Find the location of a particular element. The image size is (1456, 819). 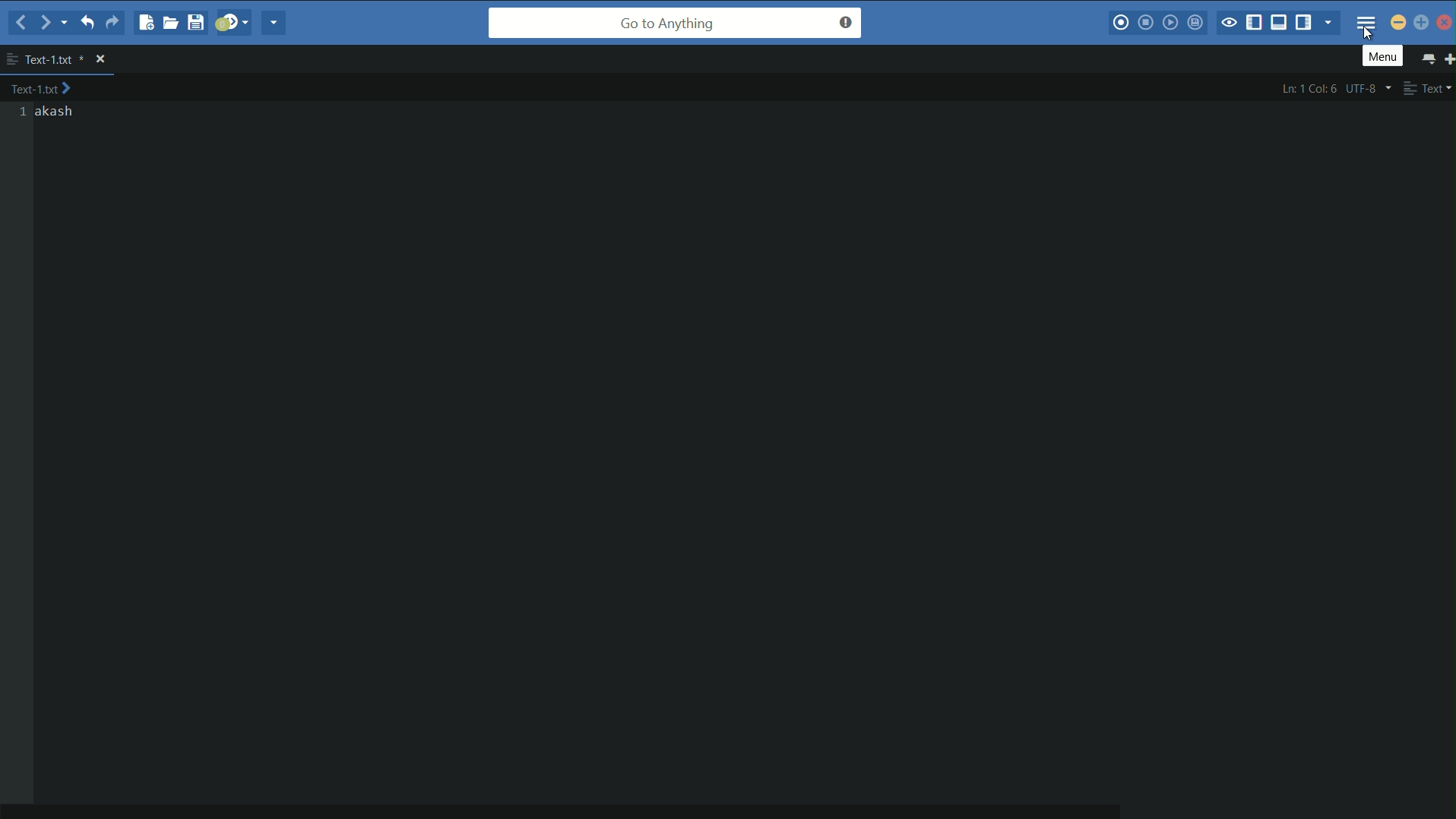

Akash is located at coordinates (55, 112).